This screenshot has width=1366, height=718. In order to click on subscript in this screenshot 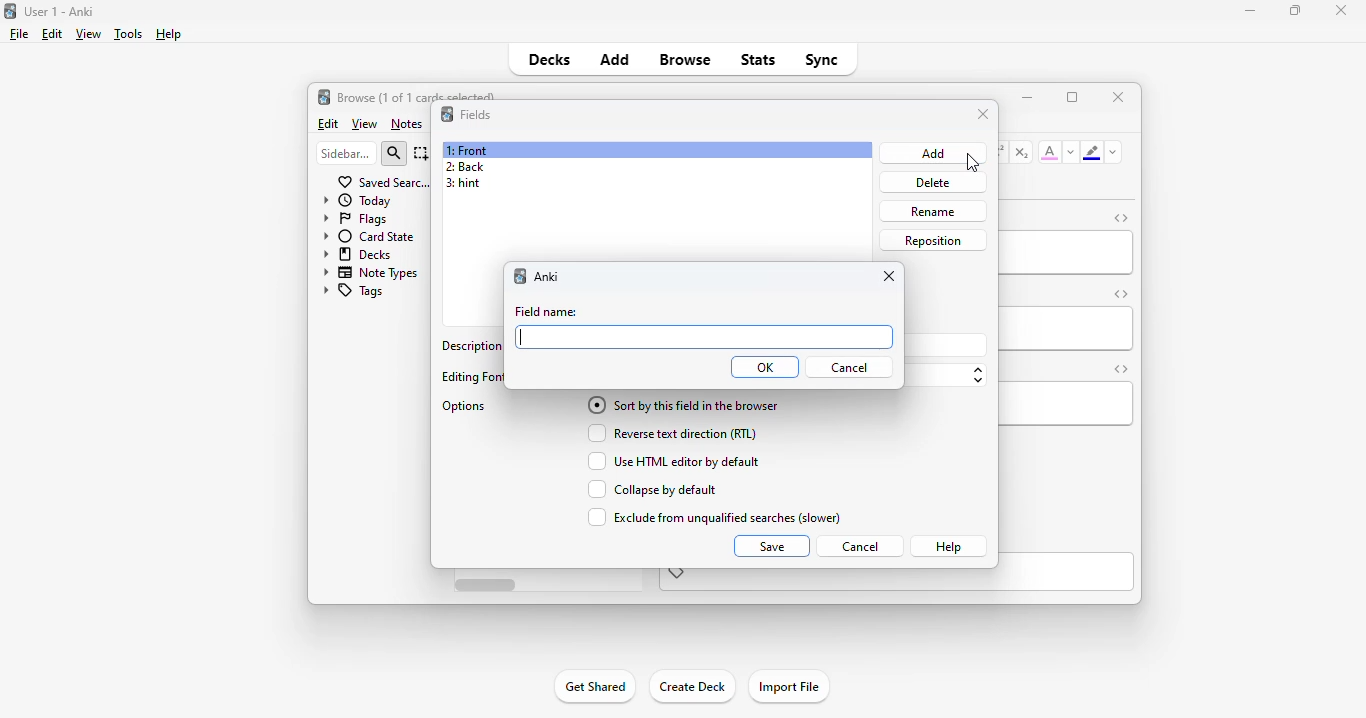, I will do `click(1021, 152)`.